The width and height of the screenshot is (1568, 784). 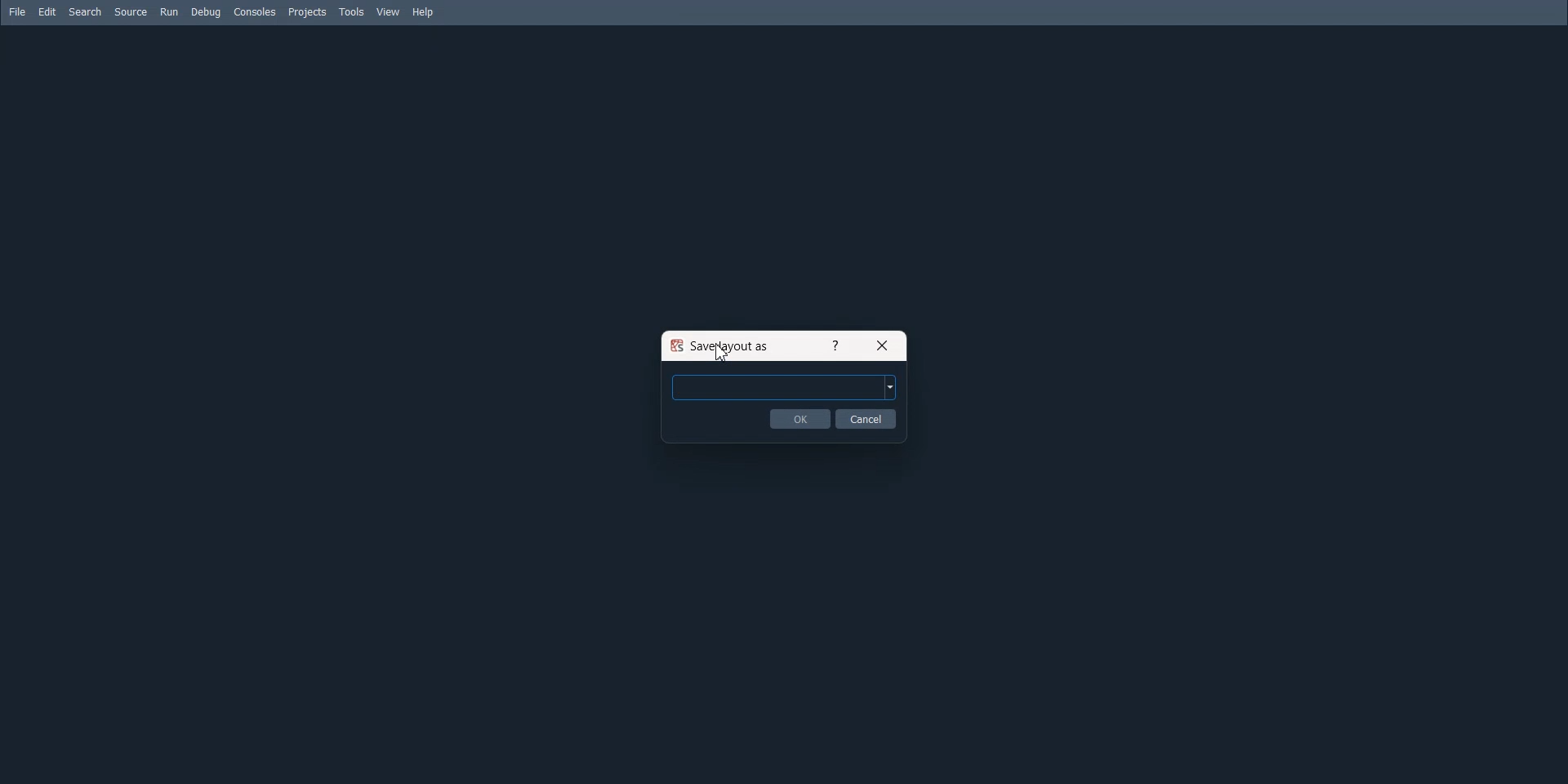 What do you see at coordinates (724, 355) in the screenshot?
I see `Cursor` at bounding box center [724, 355].